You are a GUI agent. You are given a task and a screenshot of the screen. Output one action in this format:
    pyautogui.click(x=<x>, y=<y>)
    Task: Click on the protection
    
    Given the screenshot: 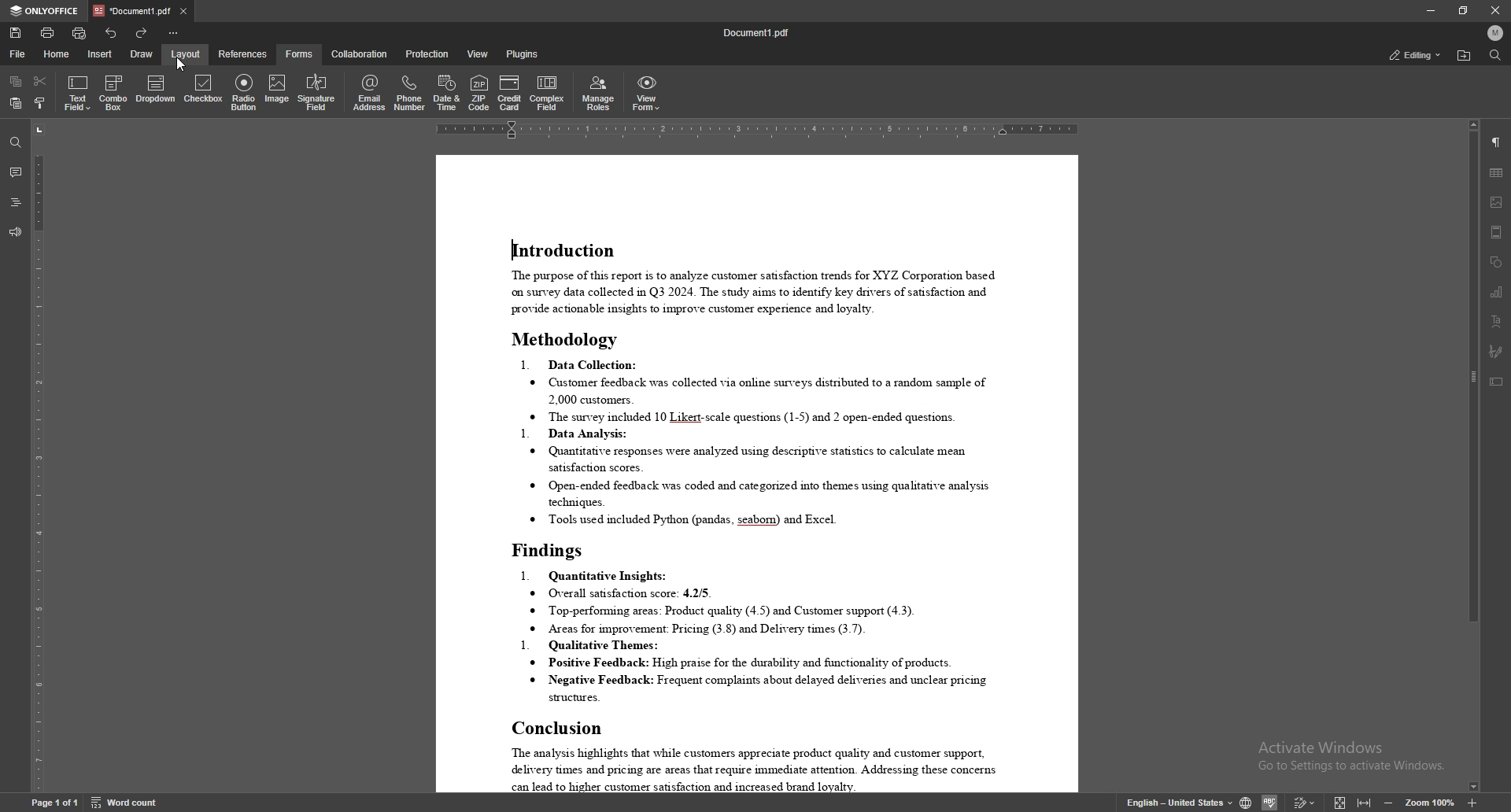 What is the action you would take?
    pyautogui.click(x=427, y=53)
    